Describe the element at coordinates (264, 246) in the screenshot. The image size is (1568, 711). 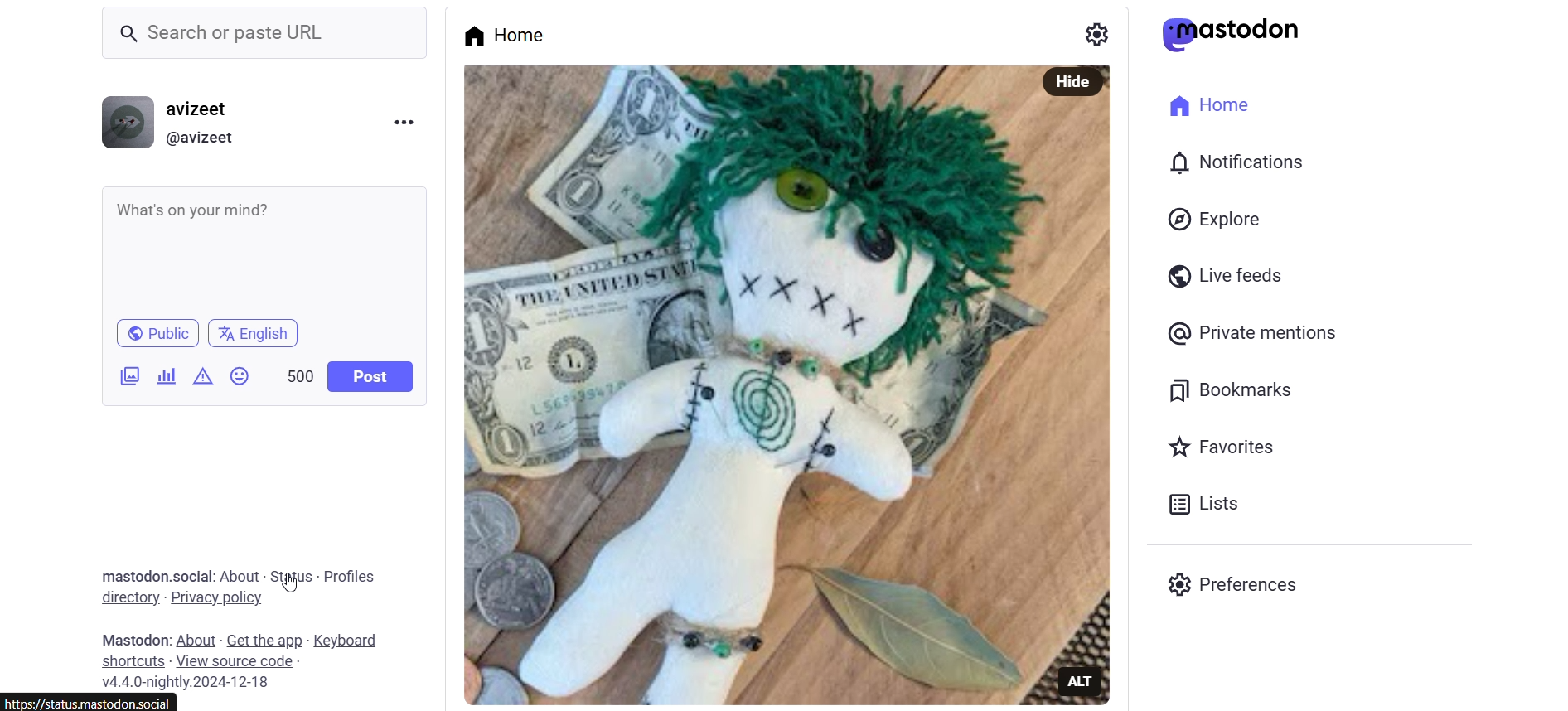
I see `whats on your mind` at that location.